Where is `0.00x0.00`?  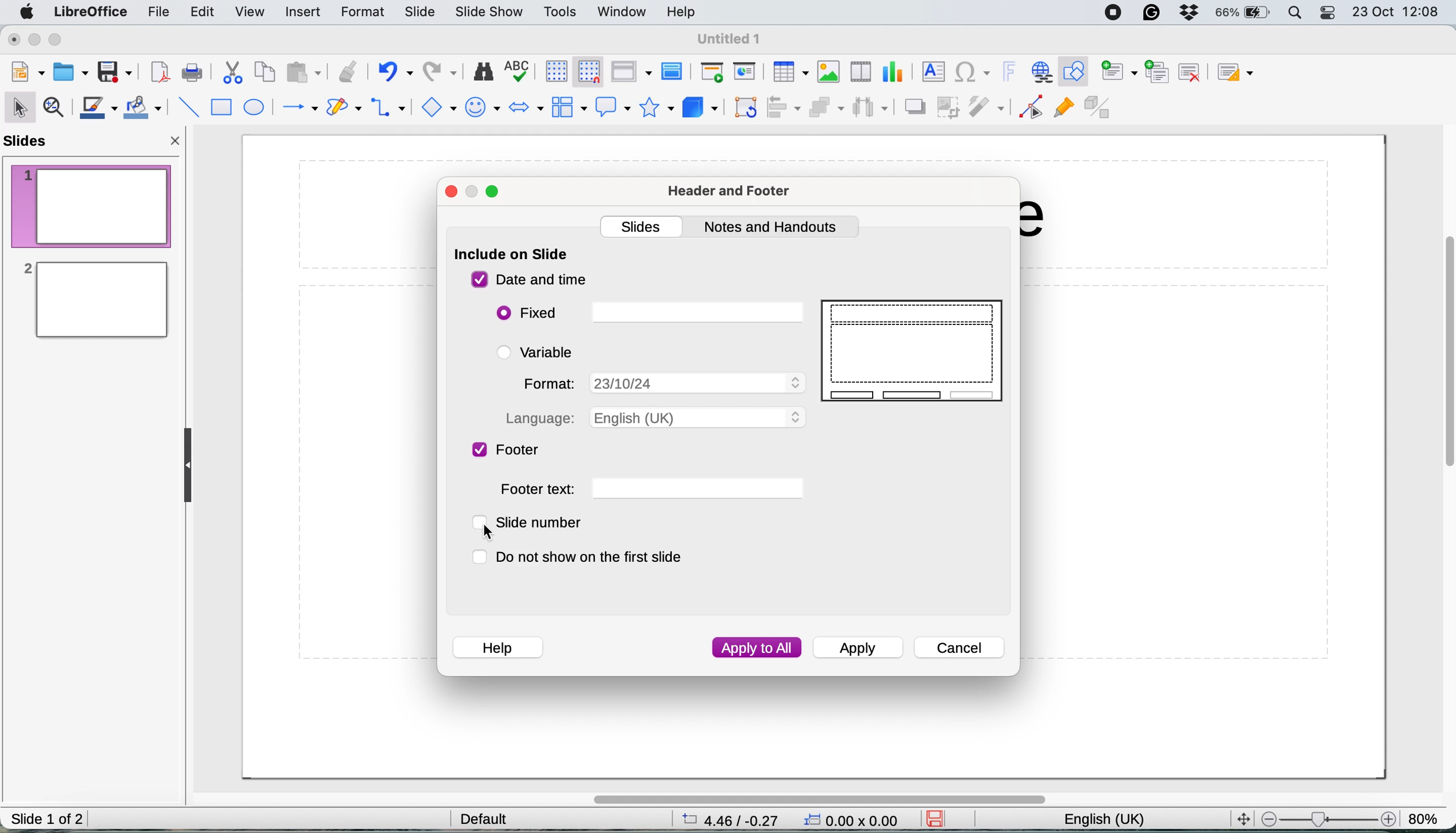 0.00x0.00 is located at coordinates (853, 822).